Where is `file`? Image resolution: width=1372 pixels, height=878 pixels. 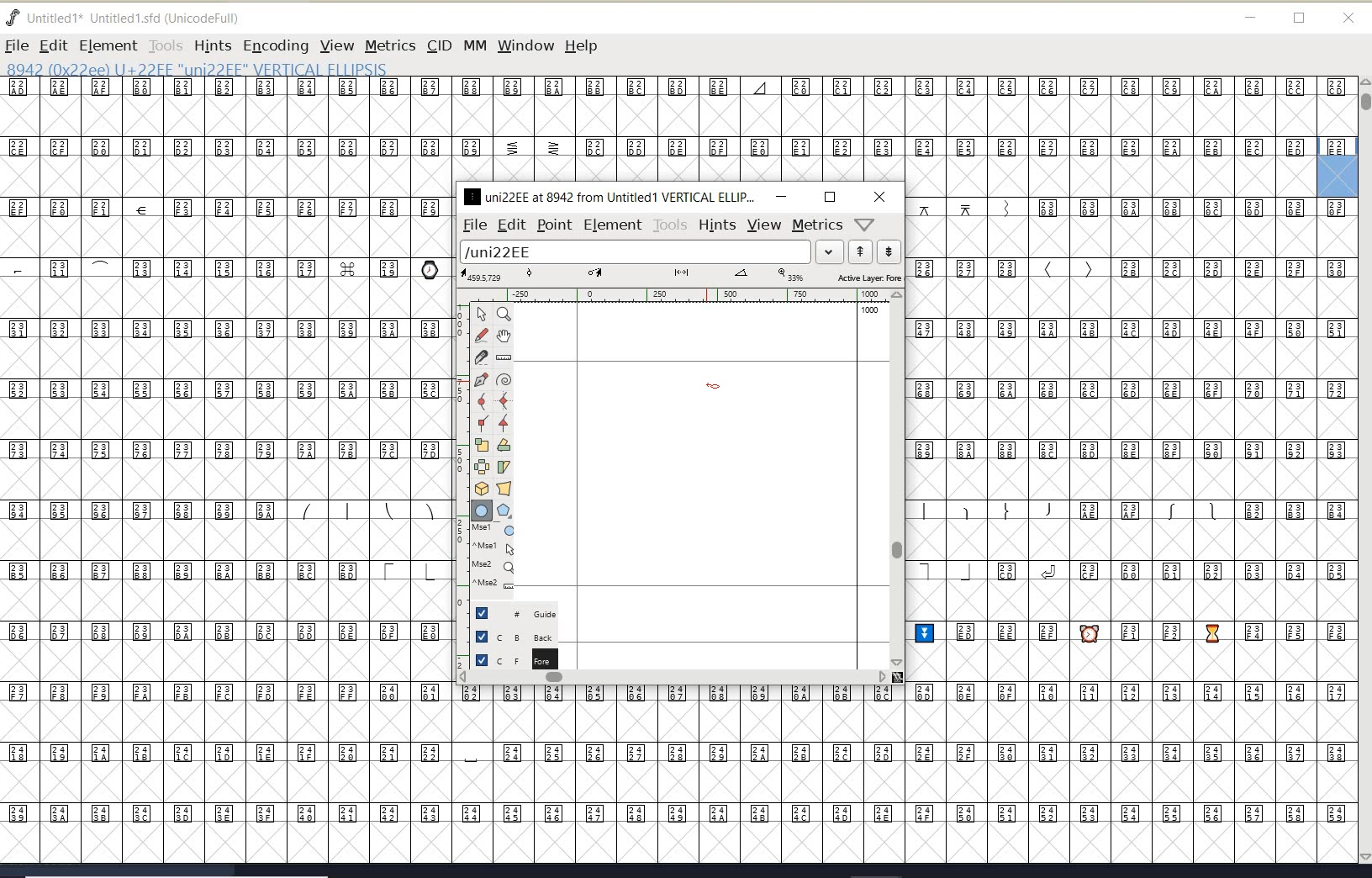 file is located at coordinates (472, 225).